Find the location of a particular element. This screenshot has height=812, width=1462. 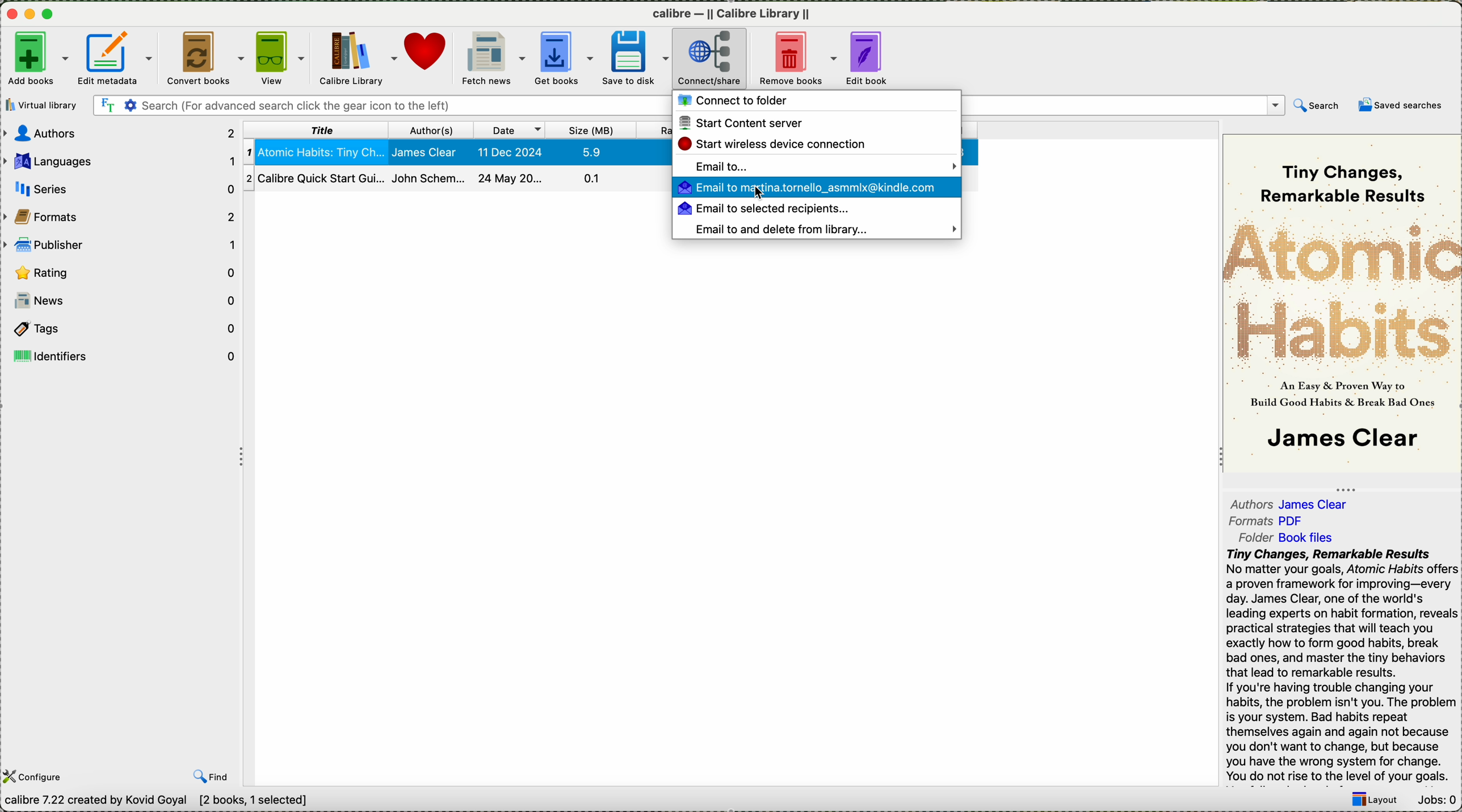

languages is located at coordinates (120, 161).